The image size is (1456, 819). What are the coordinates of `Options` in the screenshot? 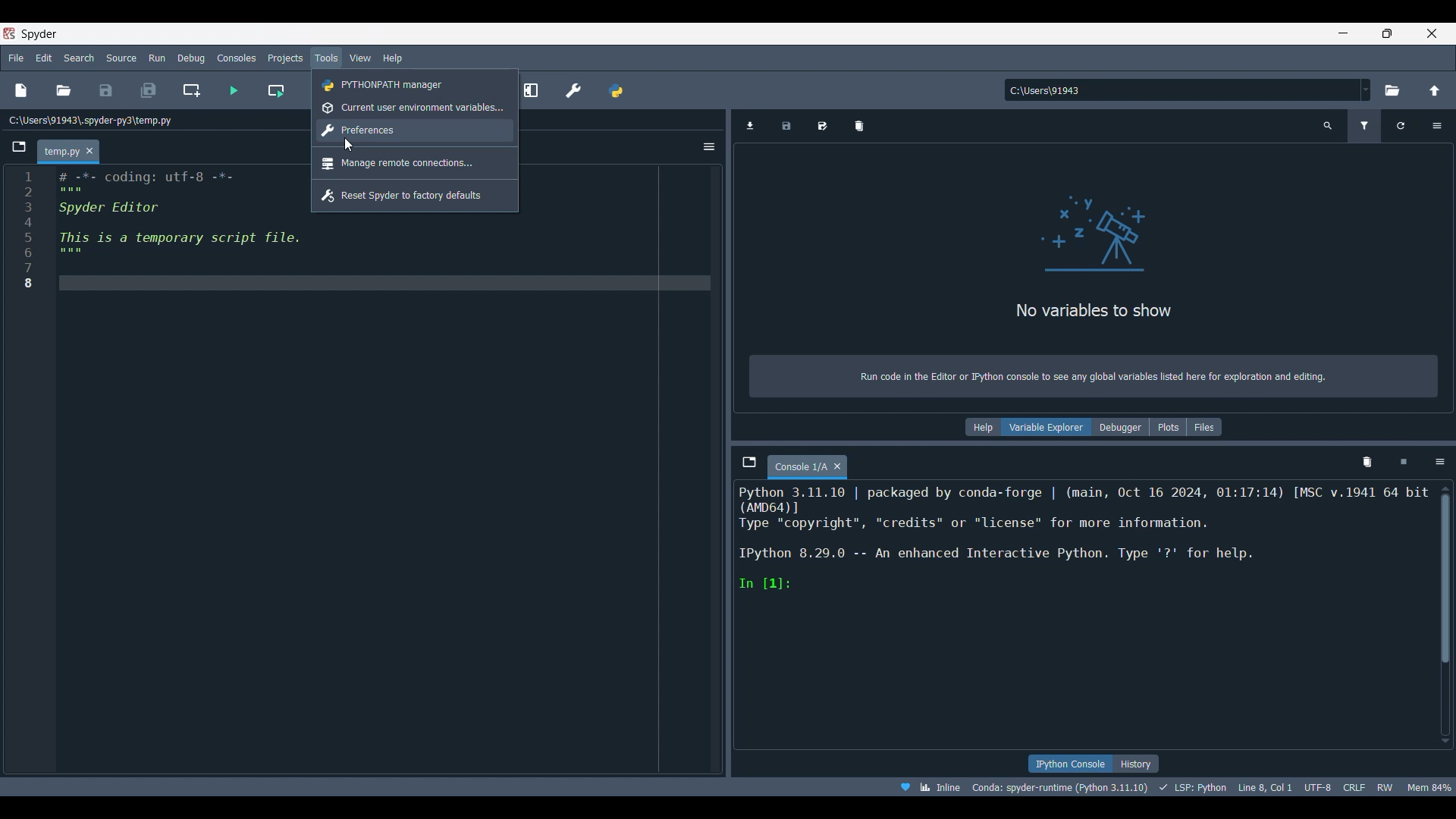 It's located at (709, 147).